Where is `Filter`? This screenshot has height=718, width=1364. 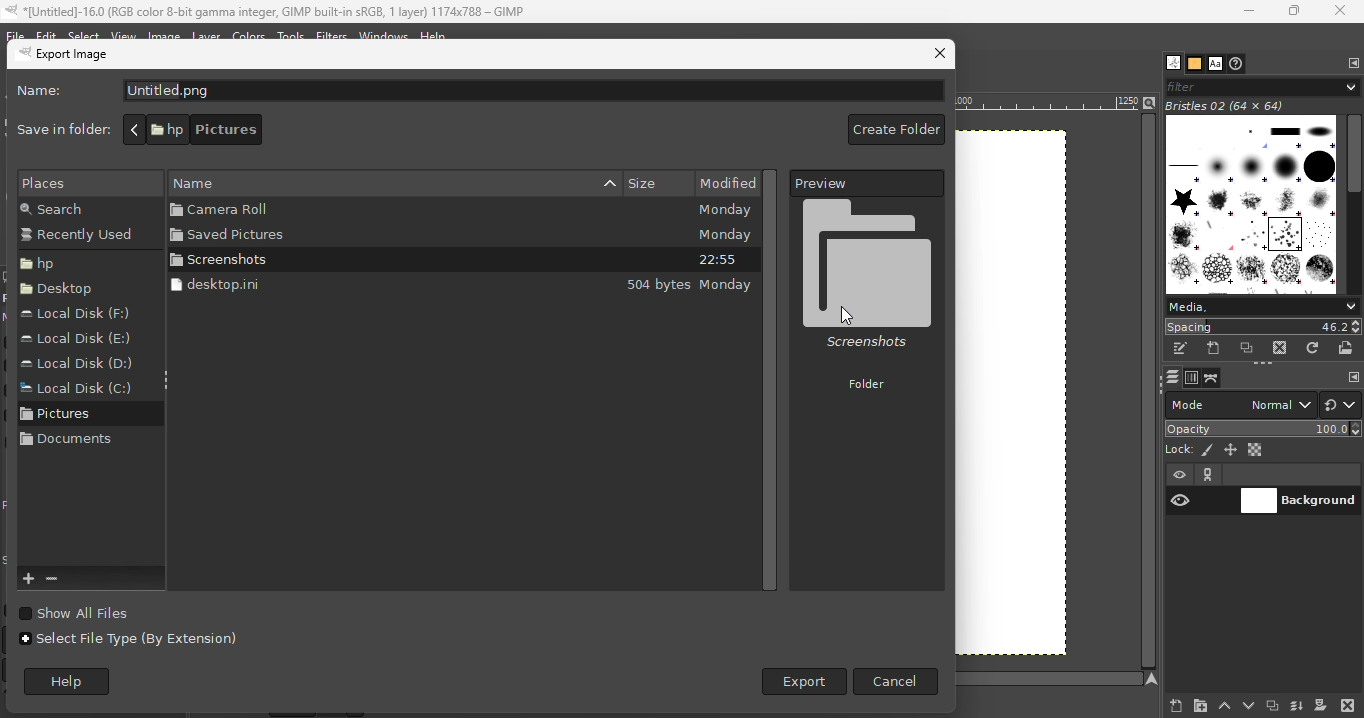
Filter is located at coordinates (1261, 85).